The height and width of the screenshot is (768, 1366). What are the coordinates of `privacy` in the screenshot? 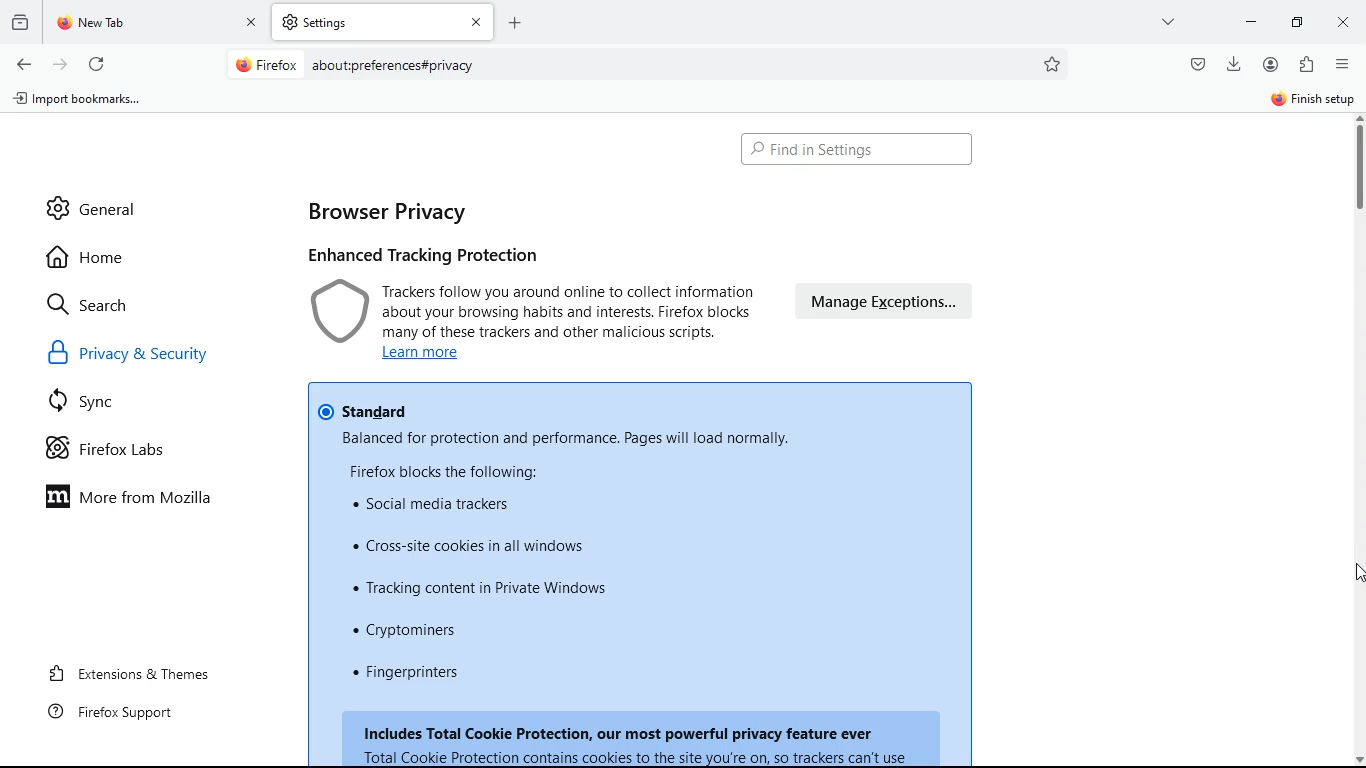 It's located at (336, 312).